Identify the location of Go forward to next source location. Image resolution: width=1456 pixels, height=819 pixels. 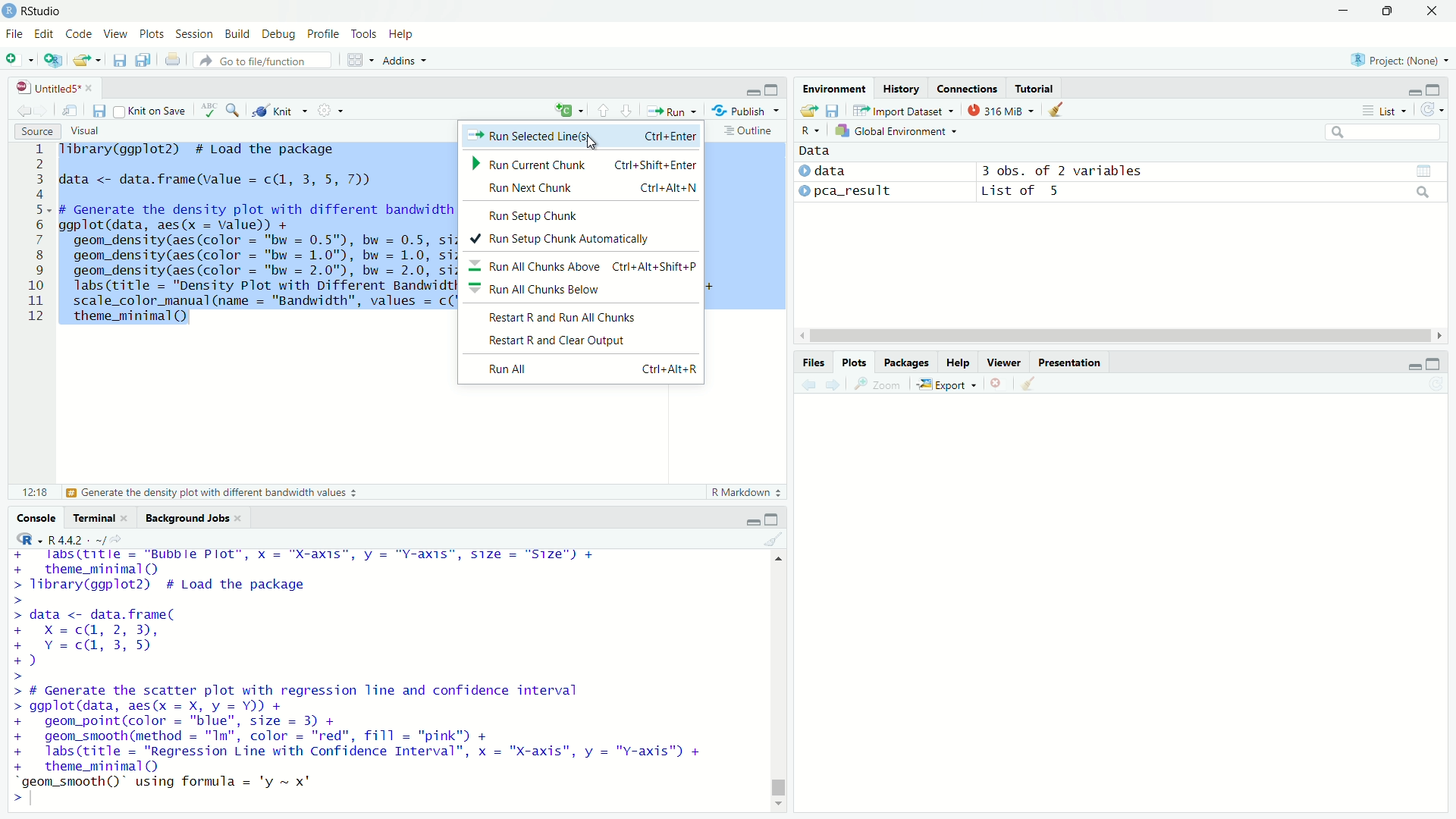
(39, 110).